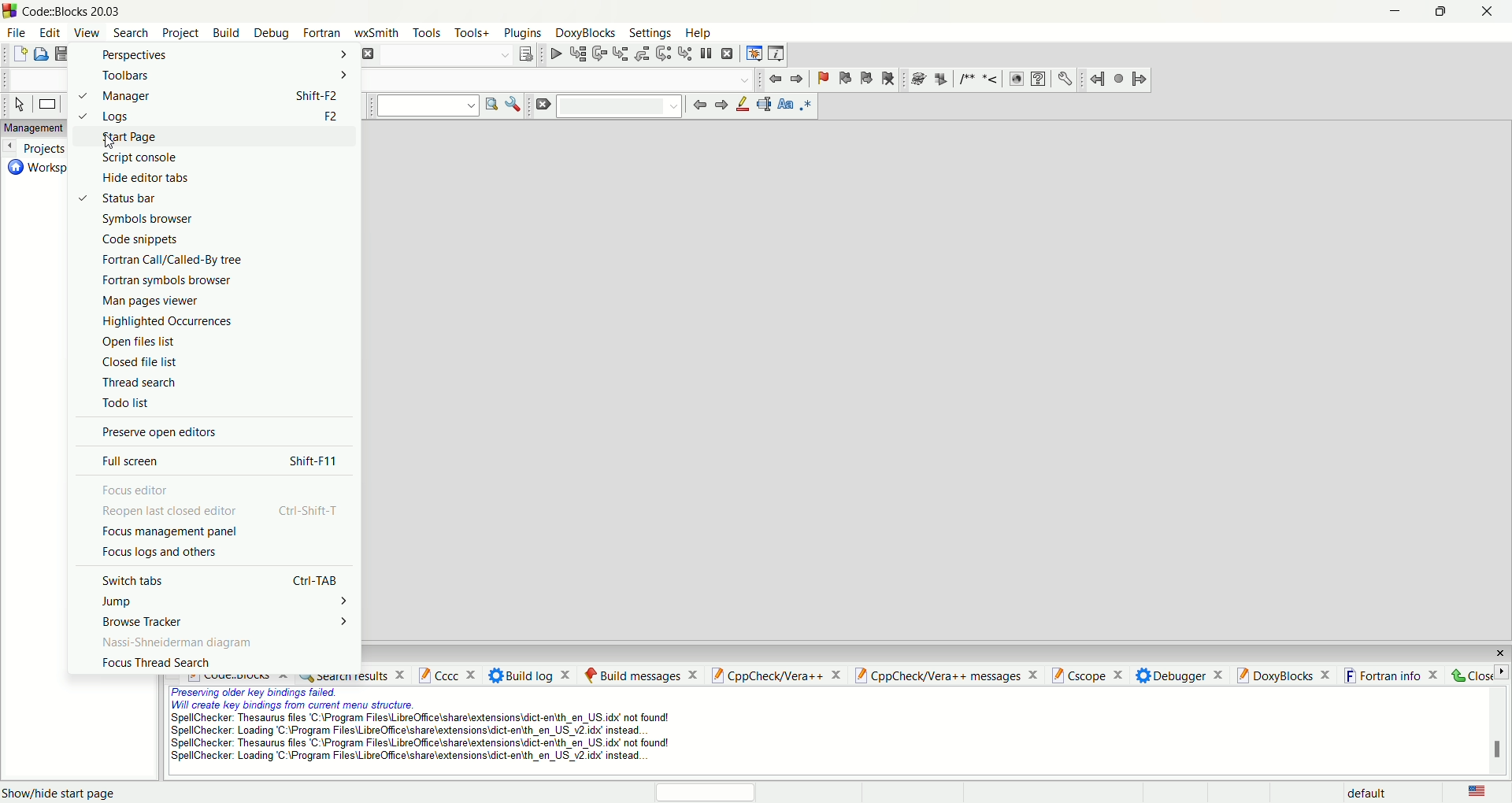 The image size is (1512, 803). What do you see at coordinates (431, 729) in the screenshot?
I see `(FVII) SUP Sy SUN —.
Will create key bindings from current menu structure.
‘SpellChecker: Thesaurus files ‘C:\Program Files\LibreOffice\share\extensions\dict-enith_en_US idx’ not found!
‘SpellChecker: Loading C:\Program Files LibreOffice\share\extensions\dict-enith_en_US_vZ idx instead.
‘SpellChecker: Thesaurus files ‘C:\Program Files\LibreOffice\share\extensions\dict-enith_en_US idx’ not found!
‘SpellChecker: Loading ‘C:\Program Files LibreOffice\share\extensions\dict-enith_en_US_vZ idx instead.` at bounding box center [431, 729].